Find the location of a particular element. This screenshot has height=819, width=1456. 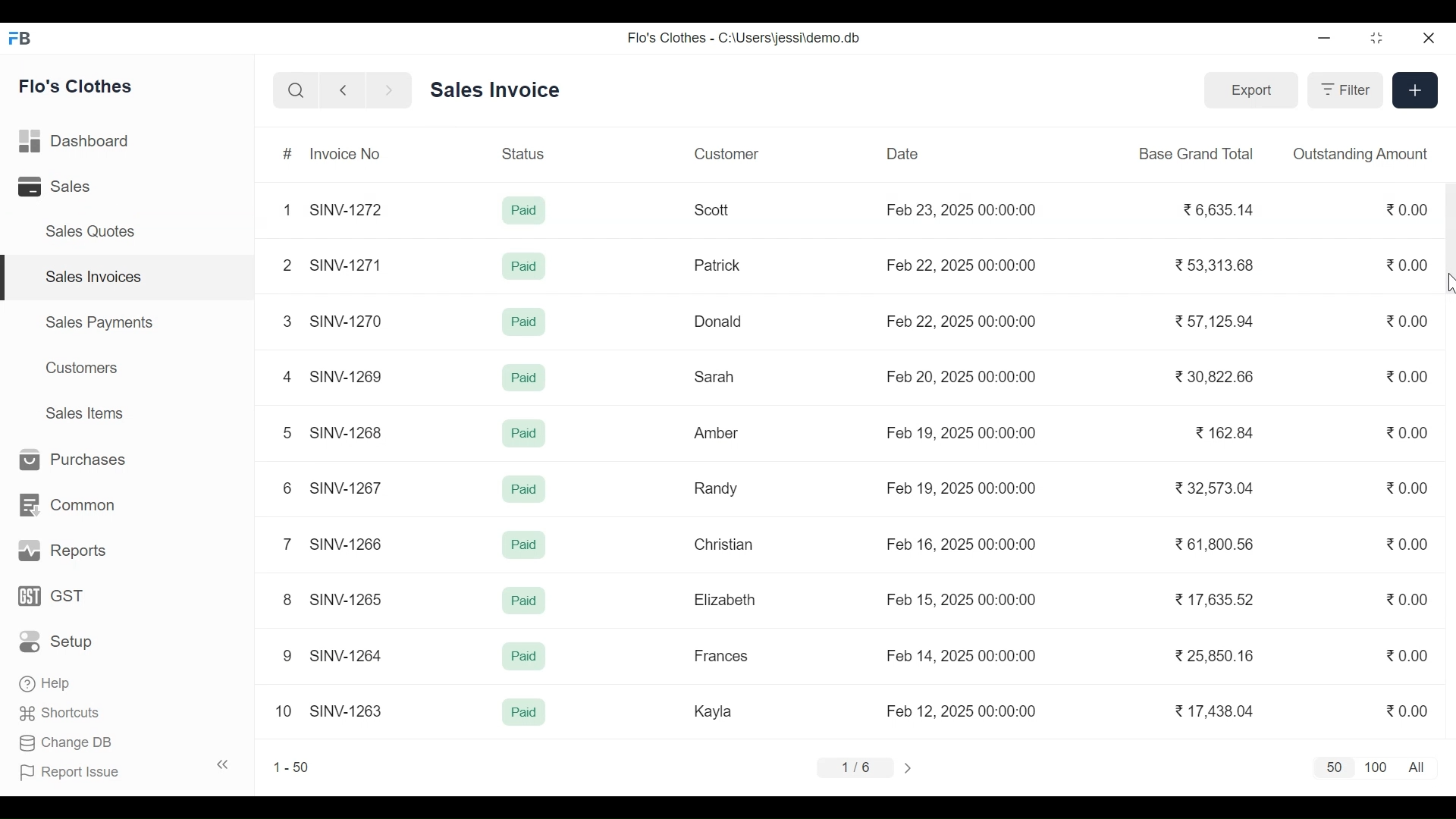

Close is located at coordinates (1426, 39).